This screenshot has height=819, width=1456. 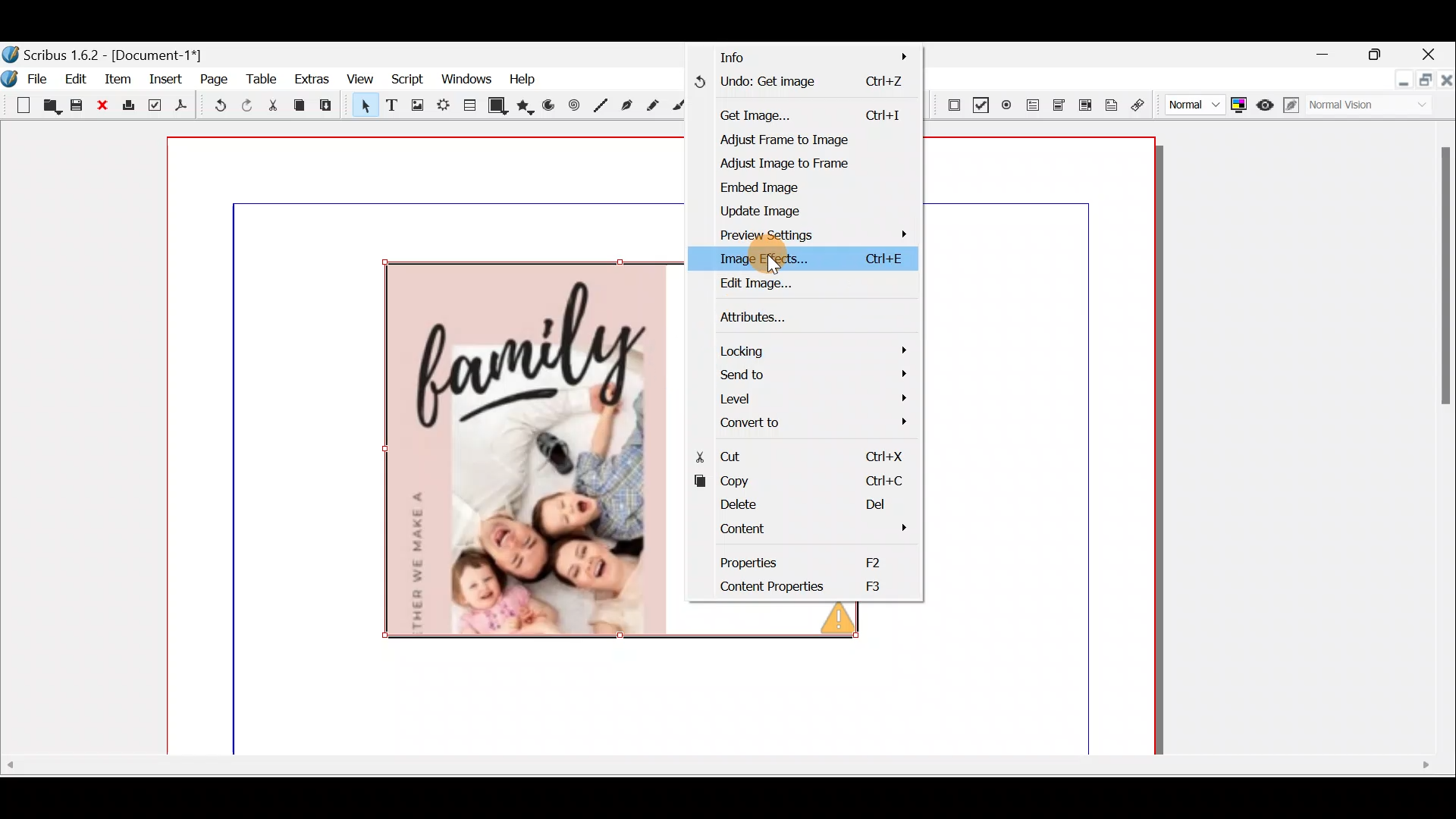 I want to click on Script, so click(x=406, y=80).